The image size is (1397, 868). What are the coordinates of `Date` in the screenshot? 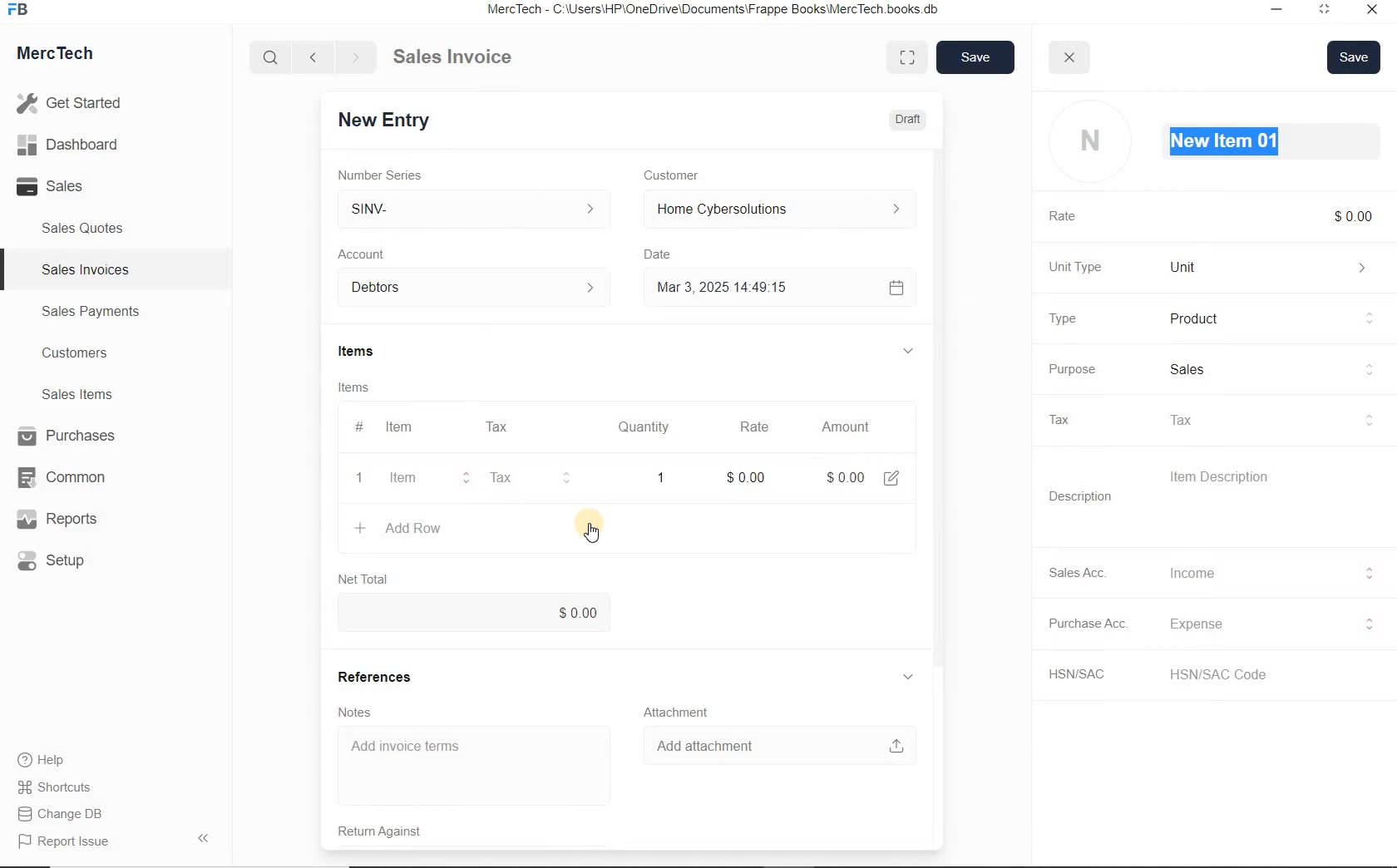 It's located at (661, 254).